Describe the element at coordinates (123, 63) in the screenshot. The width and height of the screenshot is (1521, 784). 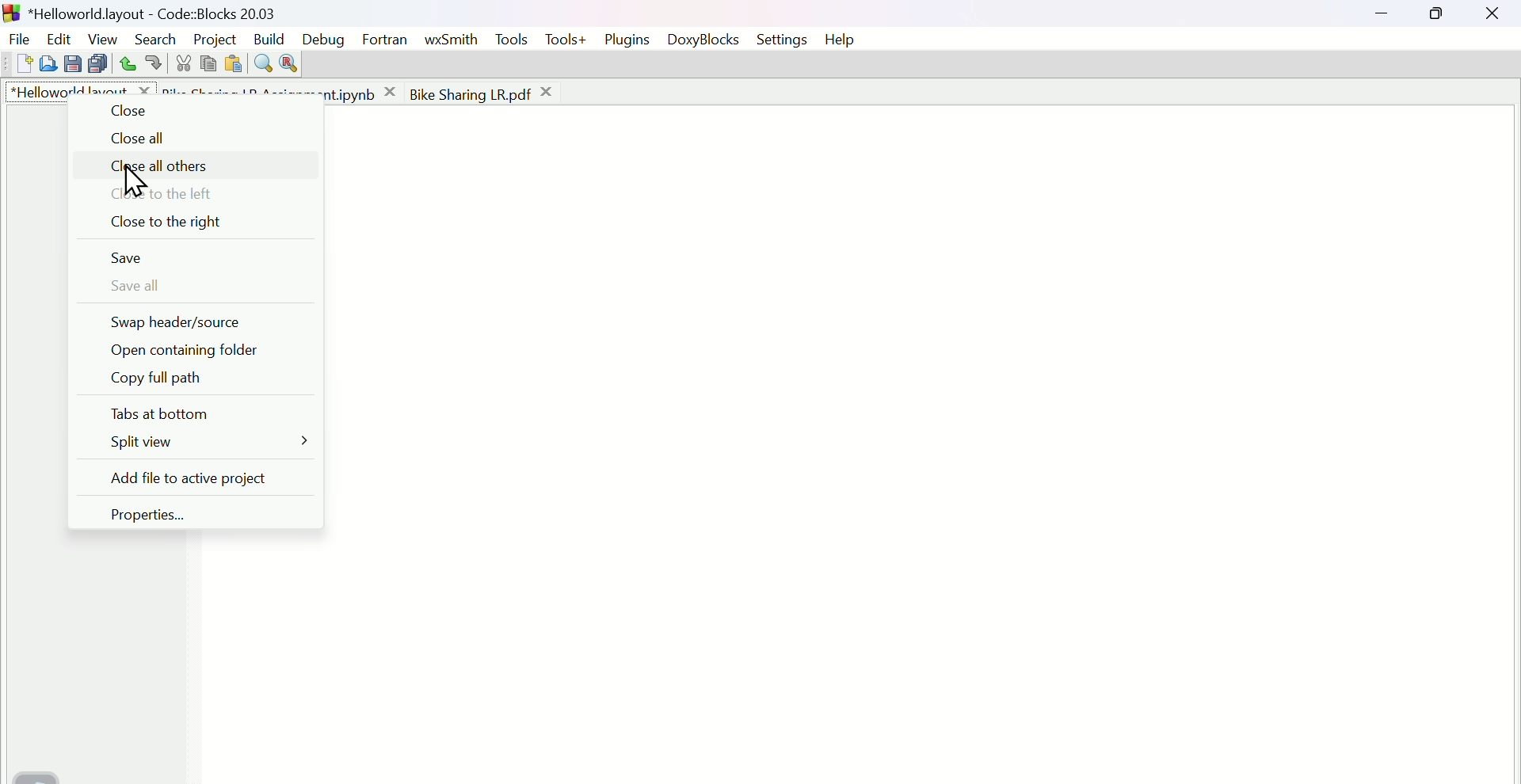
I see `Undo` at that location.